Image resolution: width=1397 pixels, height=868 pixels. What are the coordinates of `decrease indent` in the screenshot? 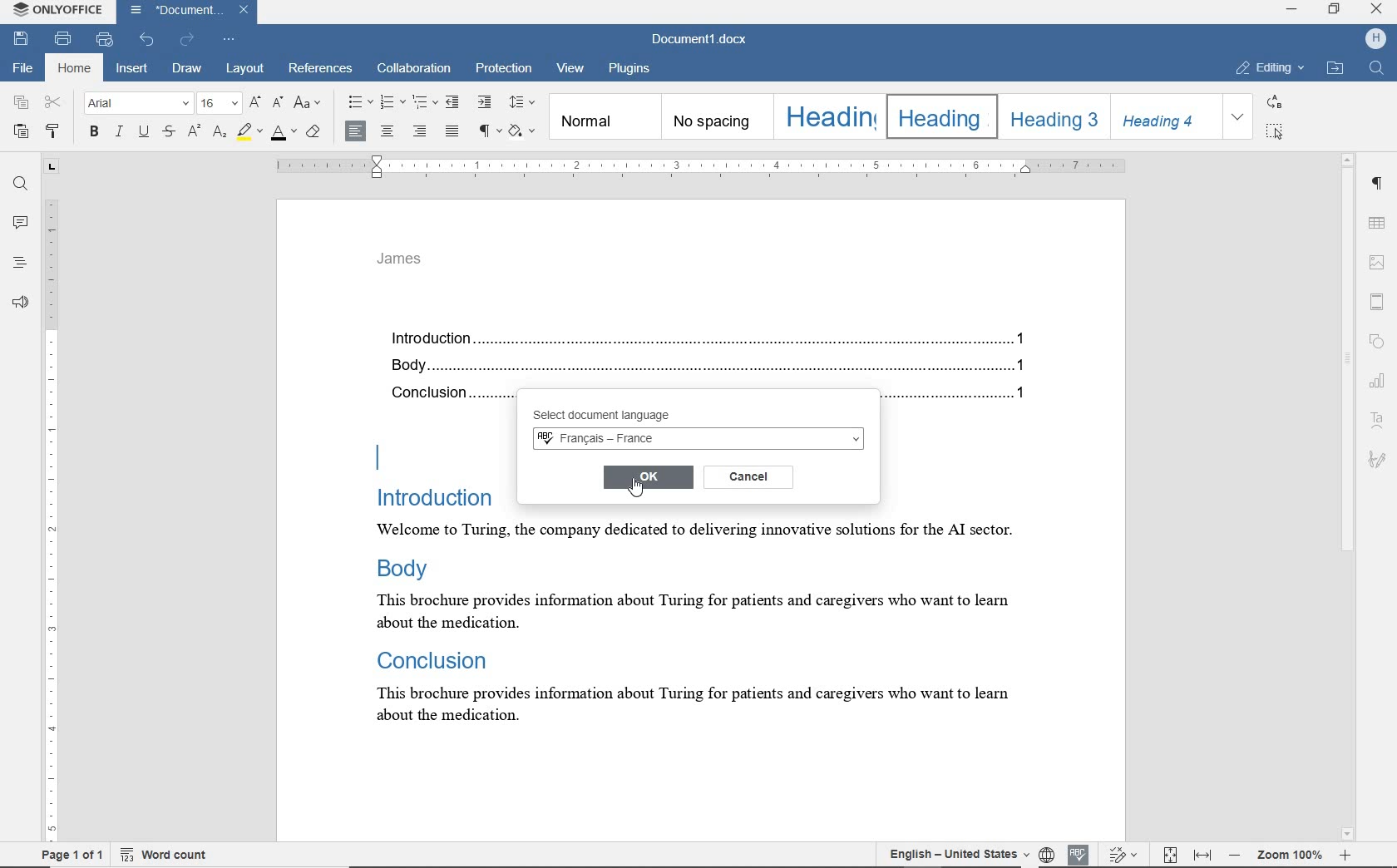 It's located at (454, 101).